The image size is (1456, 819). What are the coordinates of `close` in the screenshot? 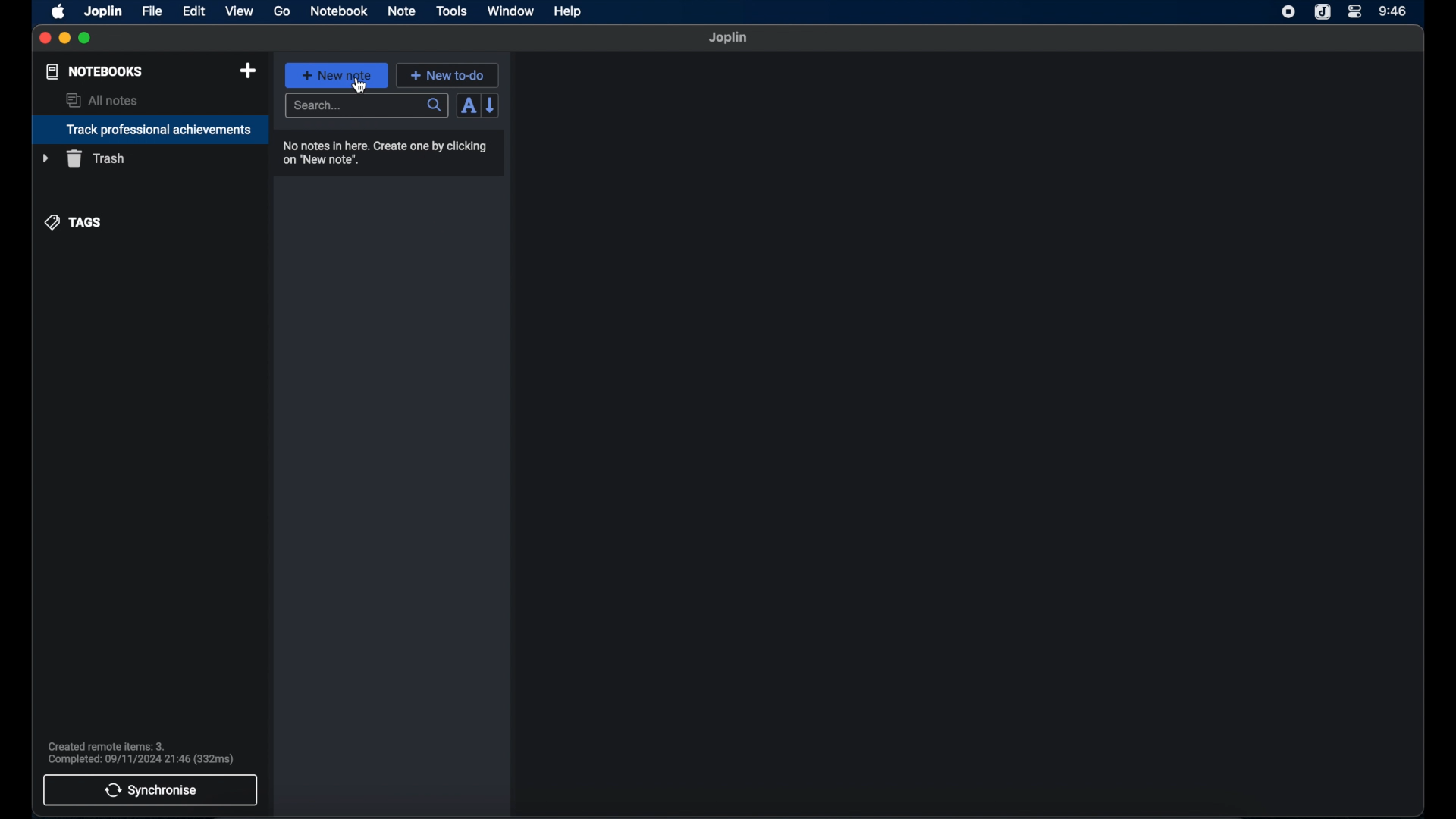 It's located at (45, 38).